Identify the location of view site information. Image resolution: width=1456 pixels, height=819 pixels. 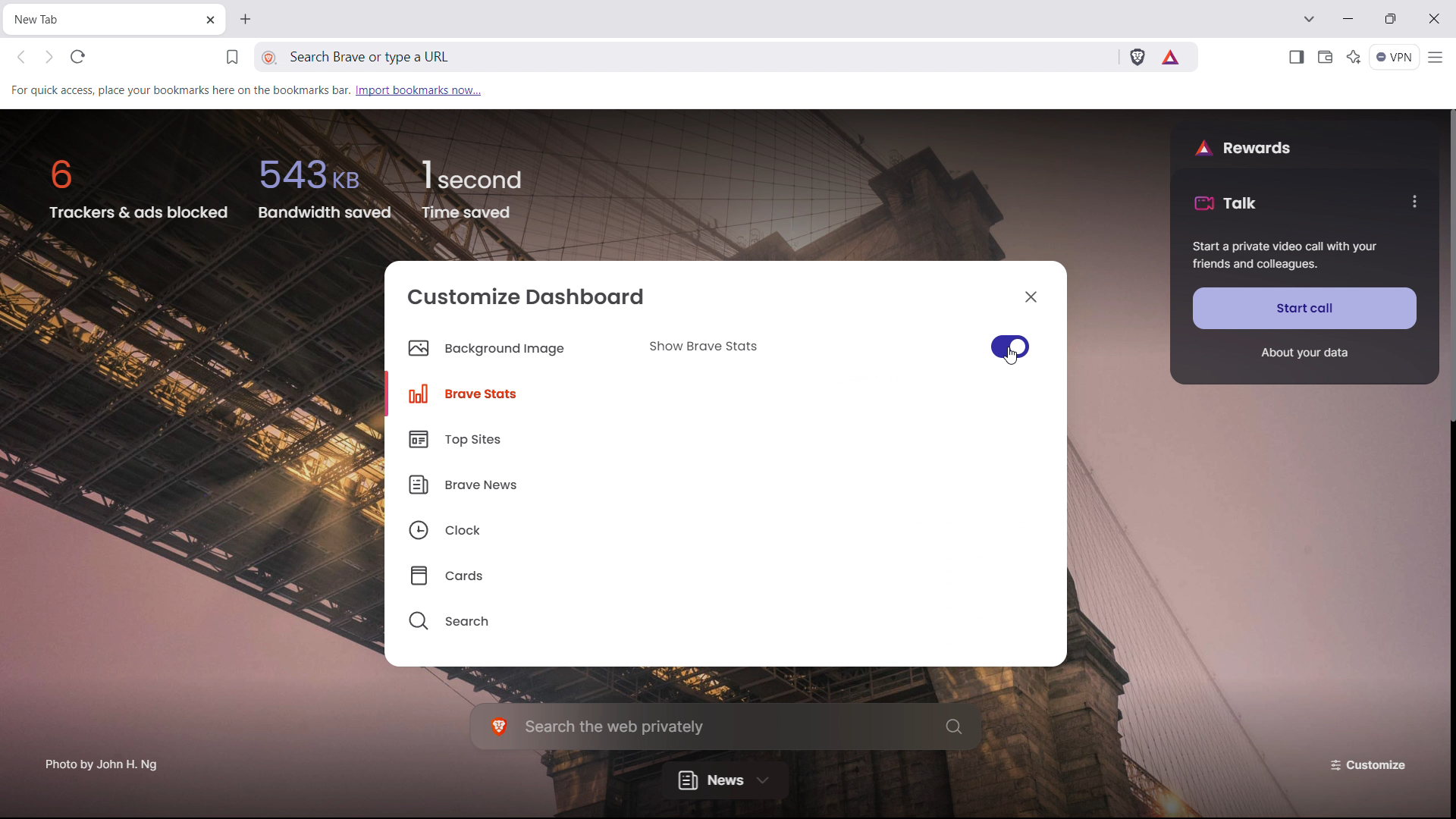
(270, 58).